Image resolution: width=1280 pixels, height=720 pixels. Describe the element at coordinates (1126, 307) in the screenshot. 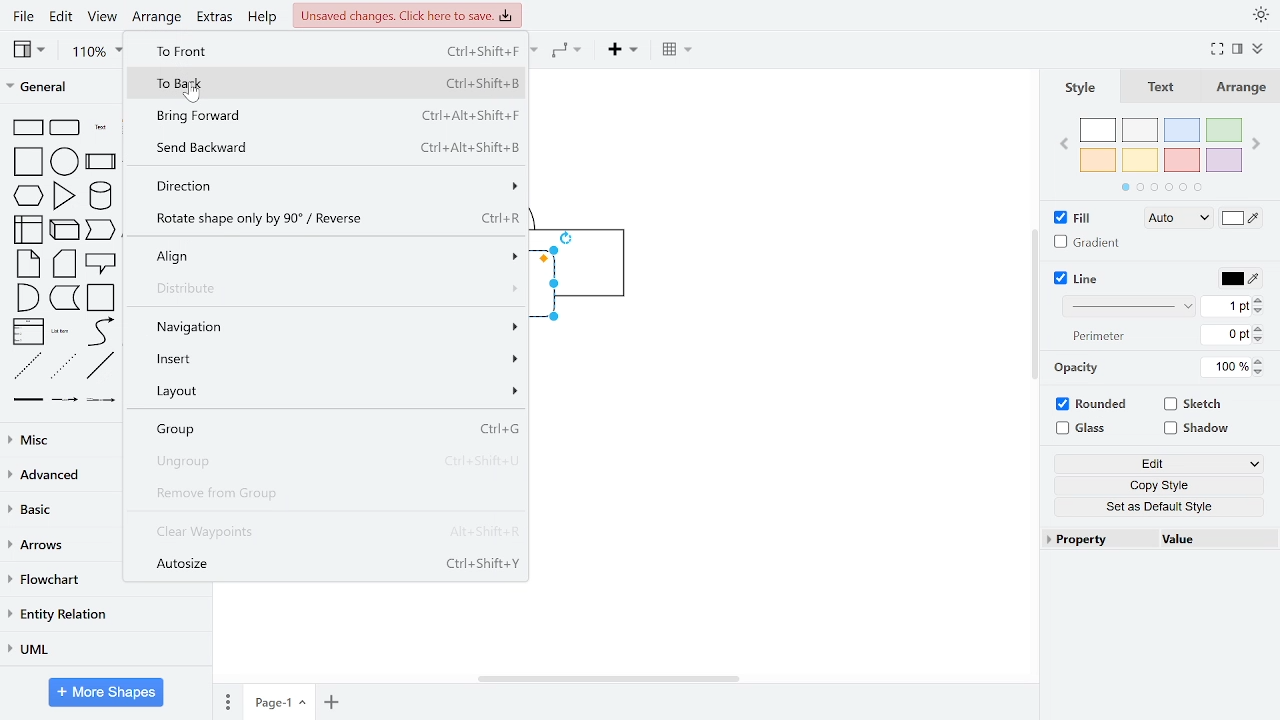

I see `line style` at that location.